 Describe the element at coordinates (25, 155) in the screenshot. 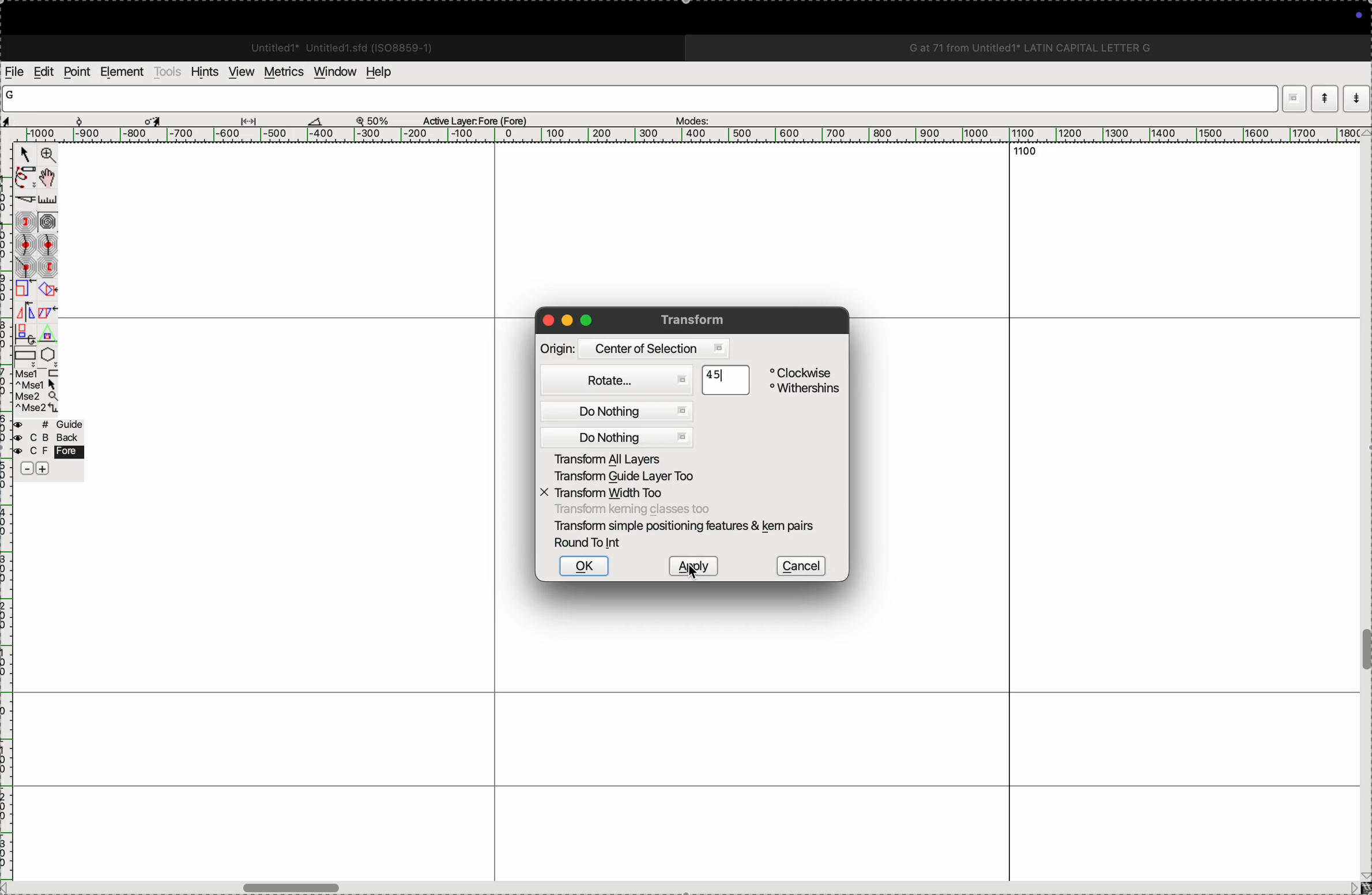

I see `Point` at that location.